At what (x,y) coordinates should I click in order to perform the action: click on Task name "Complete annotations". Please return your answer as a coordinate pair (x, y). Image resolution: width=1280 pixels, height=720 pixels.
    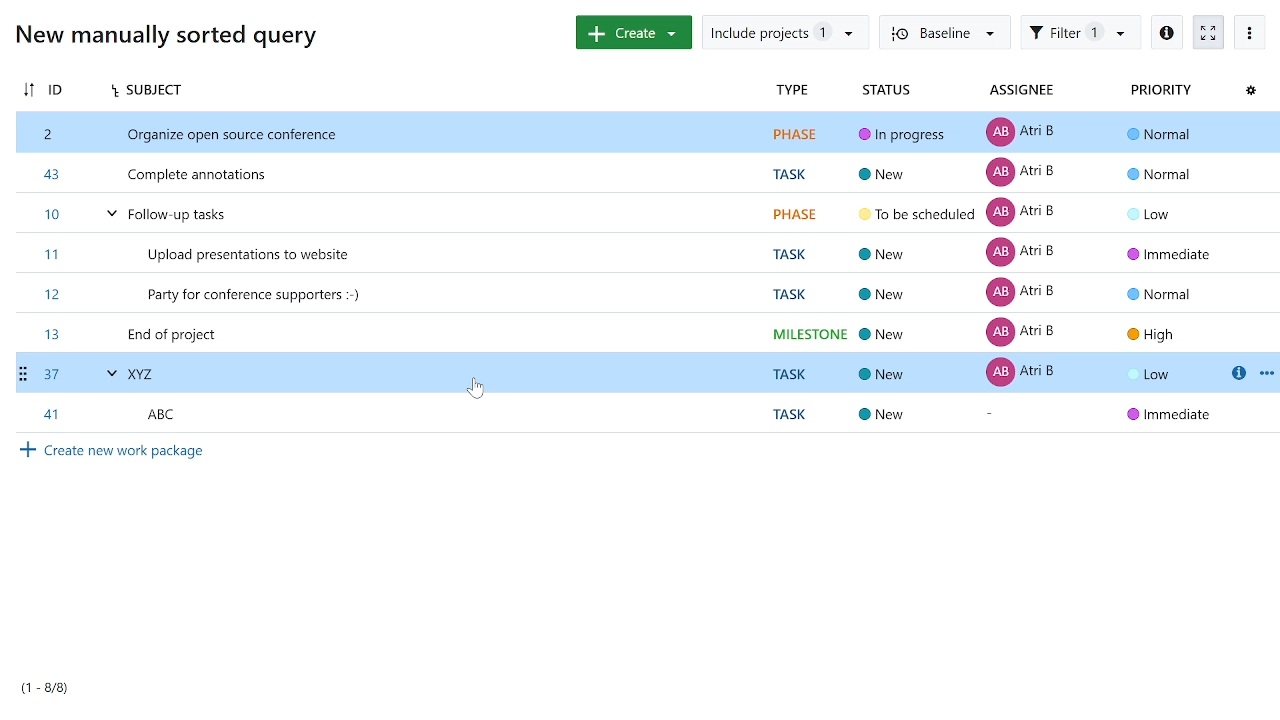
    Looking at the image, I should click on (642, 172).